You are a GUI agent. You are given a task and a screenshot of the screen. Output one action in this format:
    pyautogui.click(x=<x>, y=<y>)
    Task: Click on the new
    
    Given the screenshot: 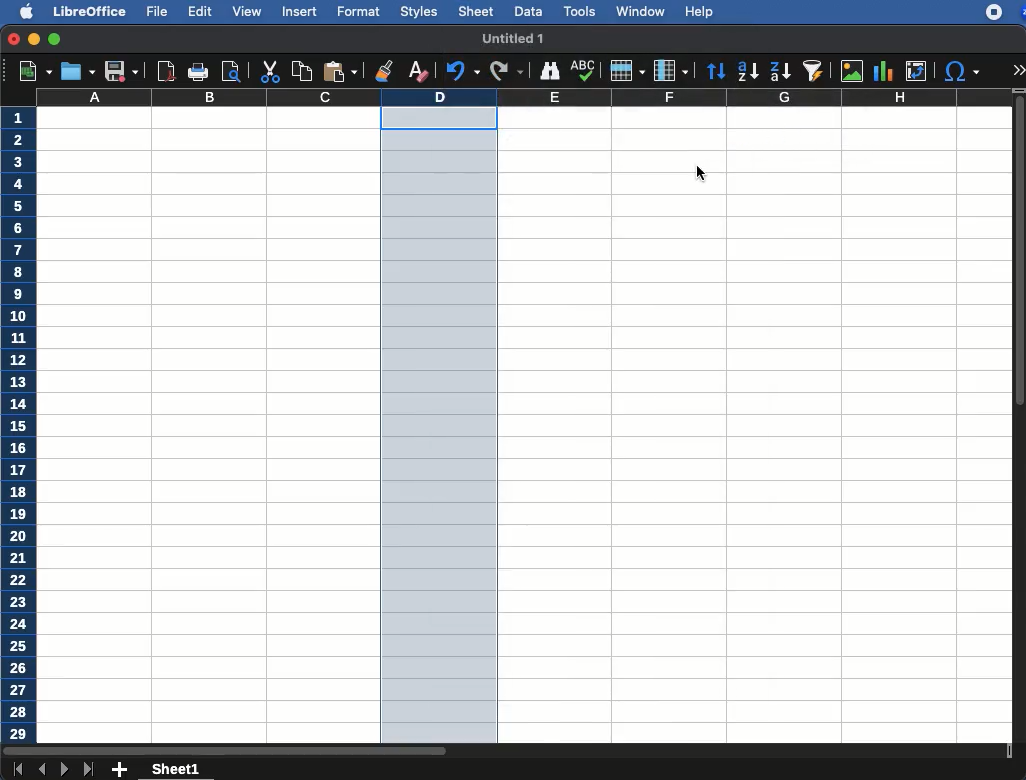 What is the action you would take?
    pyautogui.click(x=30, y=72)
    